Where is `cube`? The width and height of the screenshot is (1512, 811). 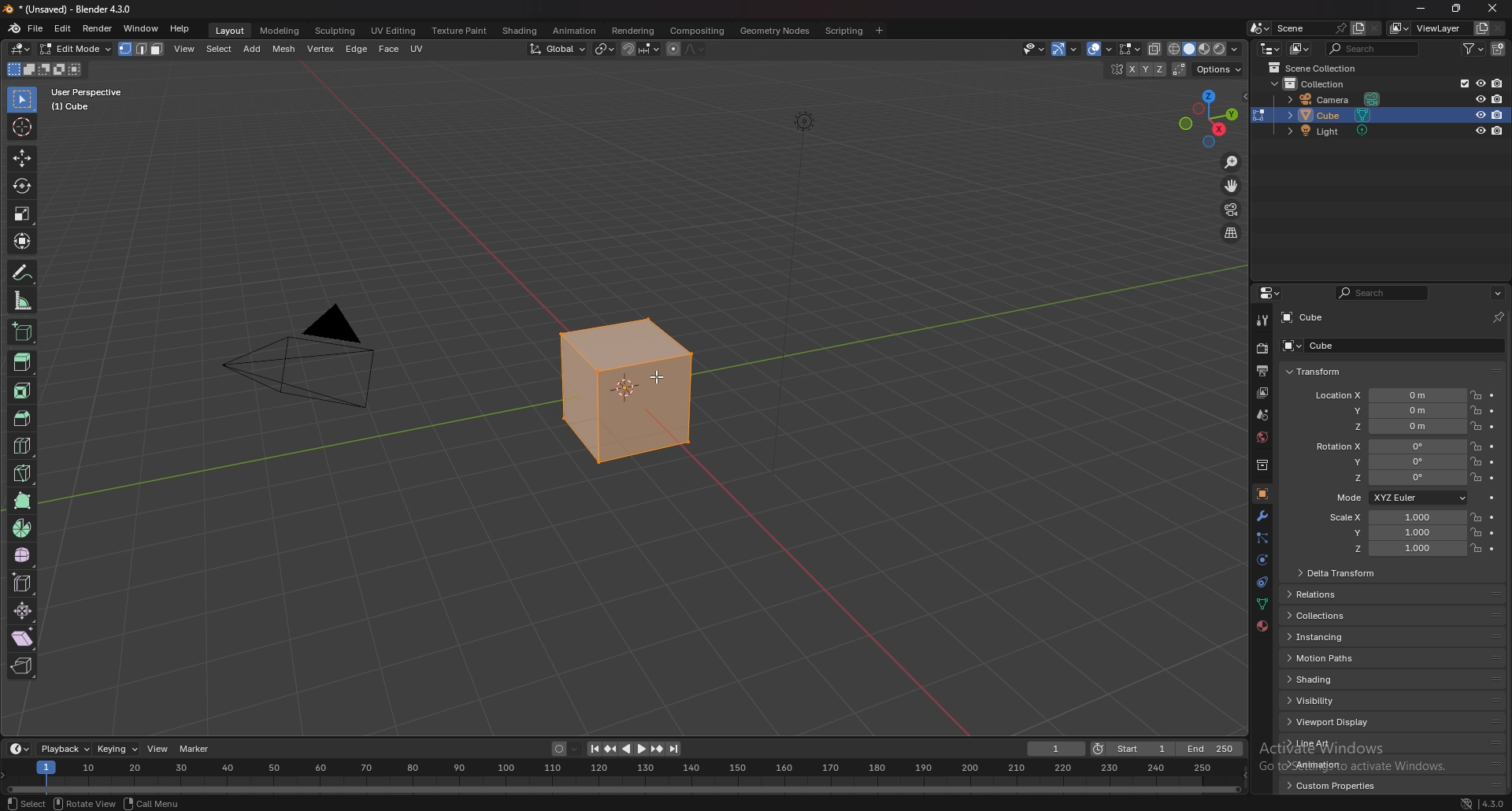
cube is located at coordinates (616, 389).